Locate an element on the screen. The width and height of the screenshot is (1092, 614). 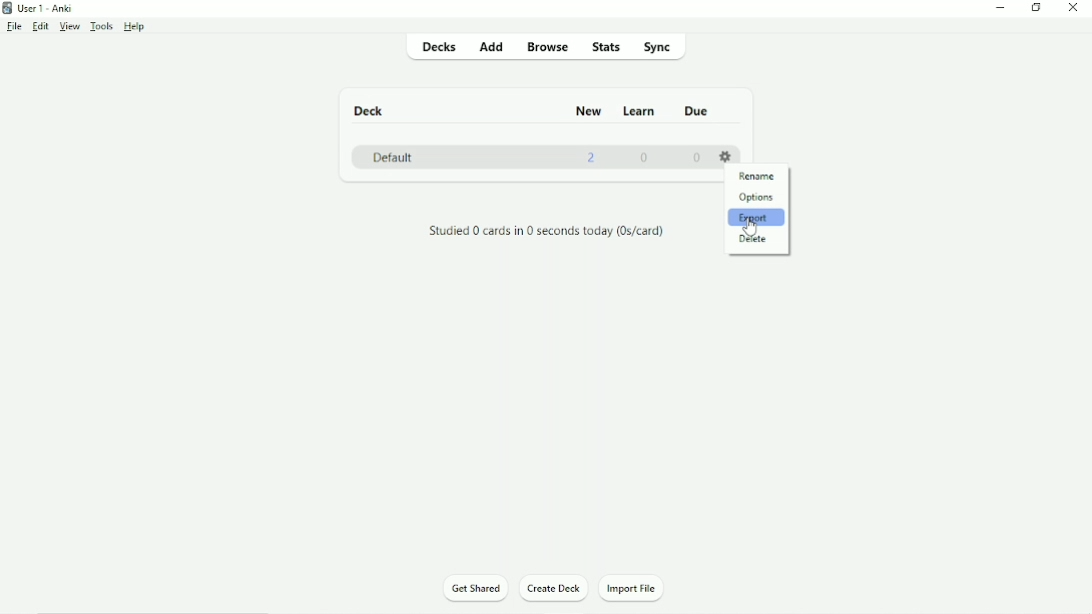
Minimize is located at coordinates (998, 8).